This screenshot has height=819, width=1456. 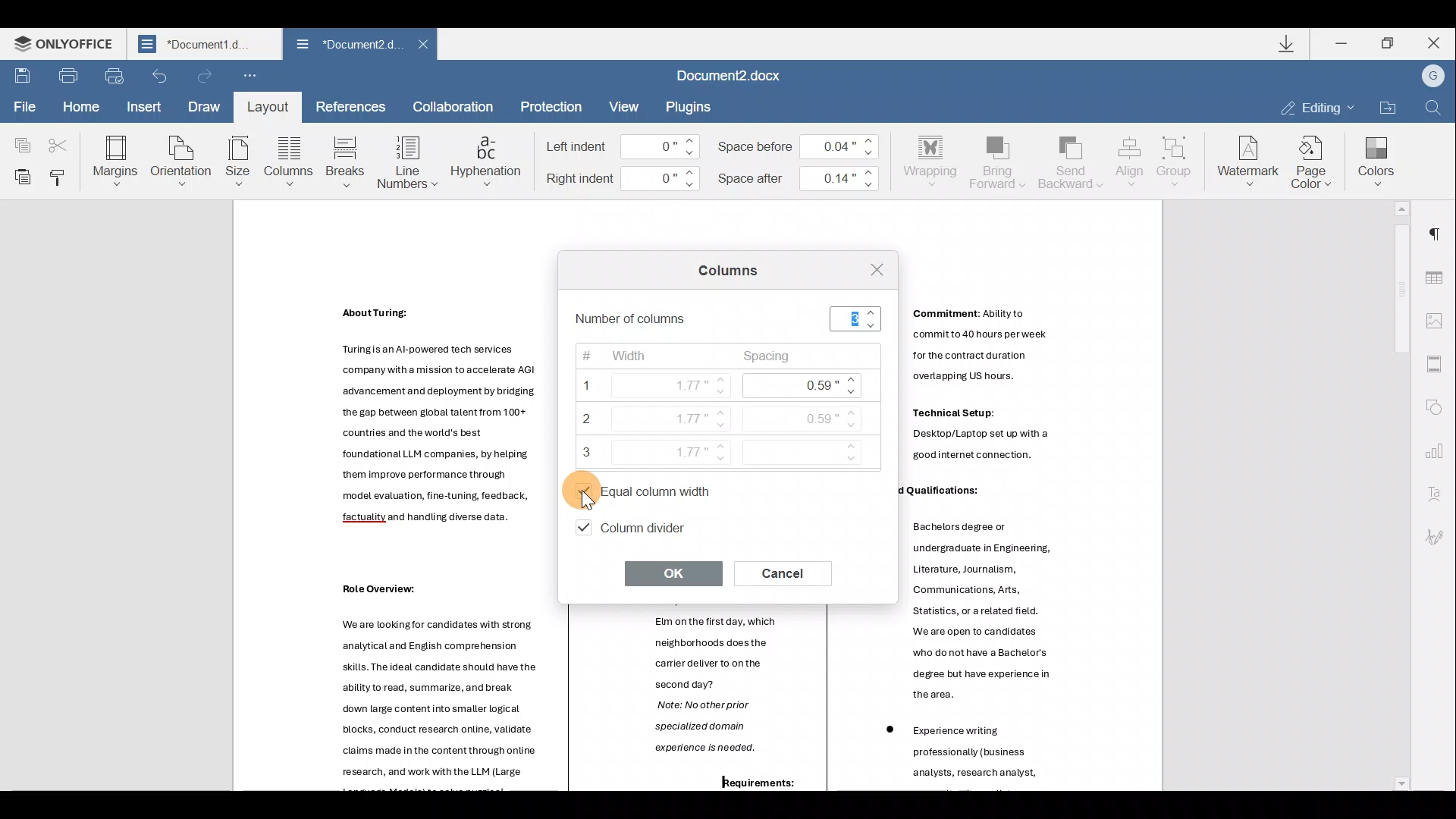 What do you see at coordinates (934, 158) in the screenshot?
I see `Wrapping` at bounding box center [934, 158].